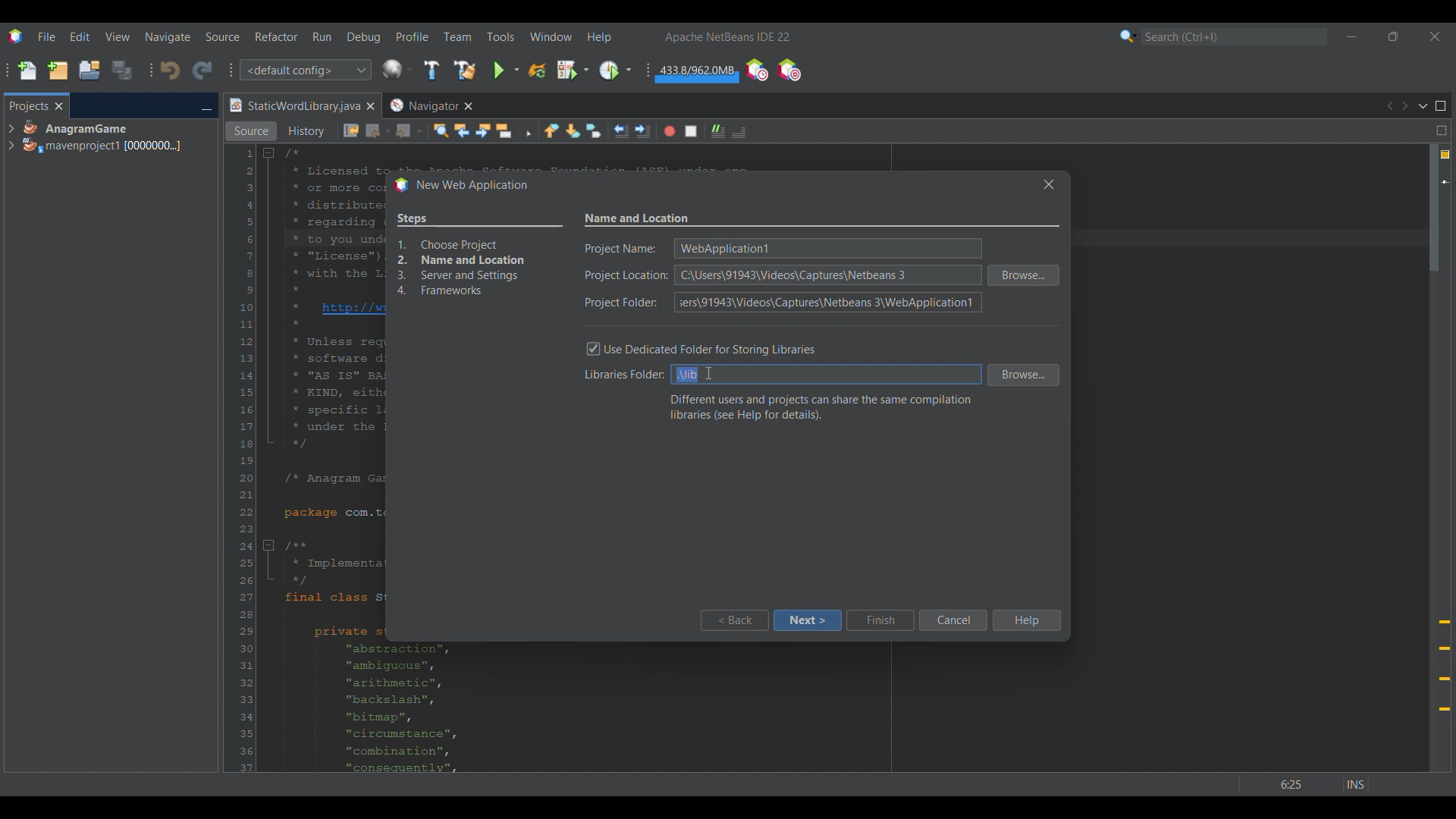 This screenshot has height=819, width=1456. Describe the element at coordinates (80, 37) in the screenshot. I see `Edit menu` at that location.